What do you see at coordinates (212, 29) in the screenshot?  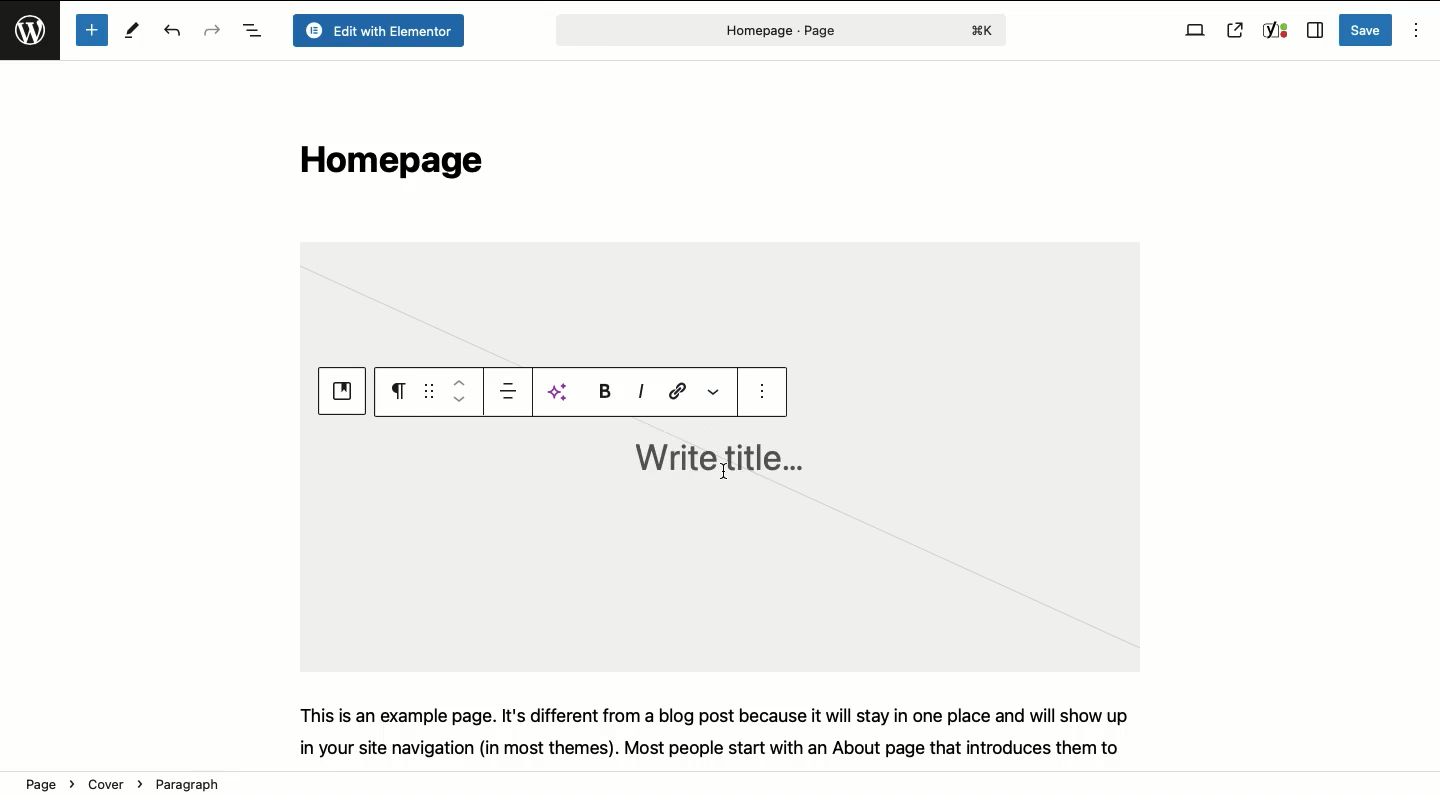 I see `Redo` at bounding box center [212, 29].